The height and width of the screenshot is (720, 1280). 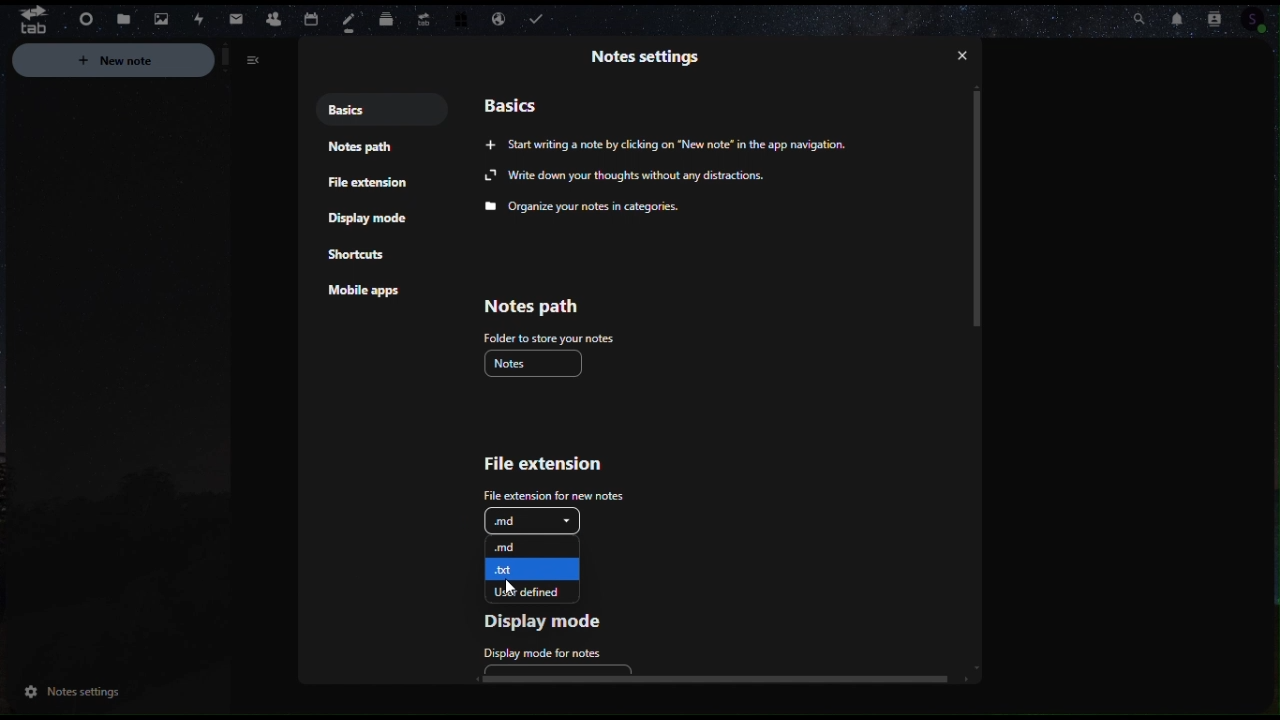 What do you see at coordinates (538, 363) in the screenshot?
I see `notes` at bounding box center [538, 363].